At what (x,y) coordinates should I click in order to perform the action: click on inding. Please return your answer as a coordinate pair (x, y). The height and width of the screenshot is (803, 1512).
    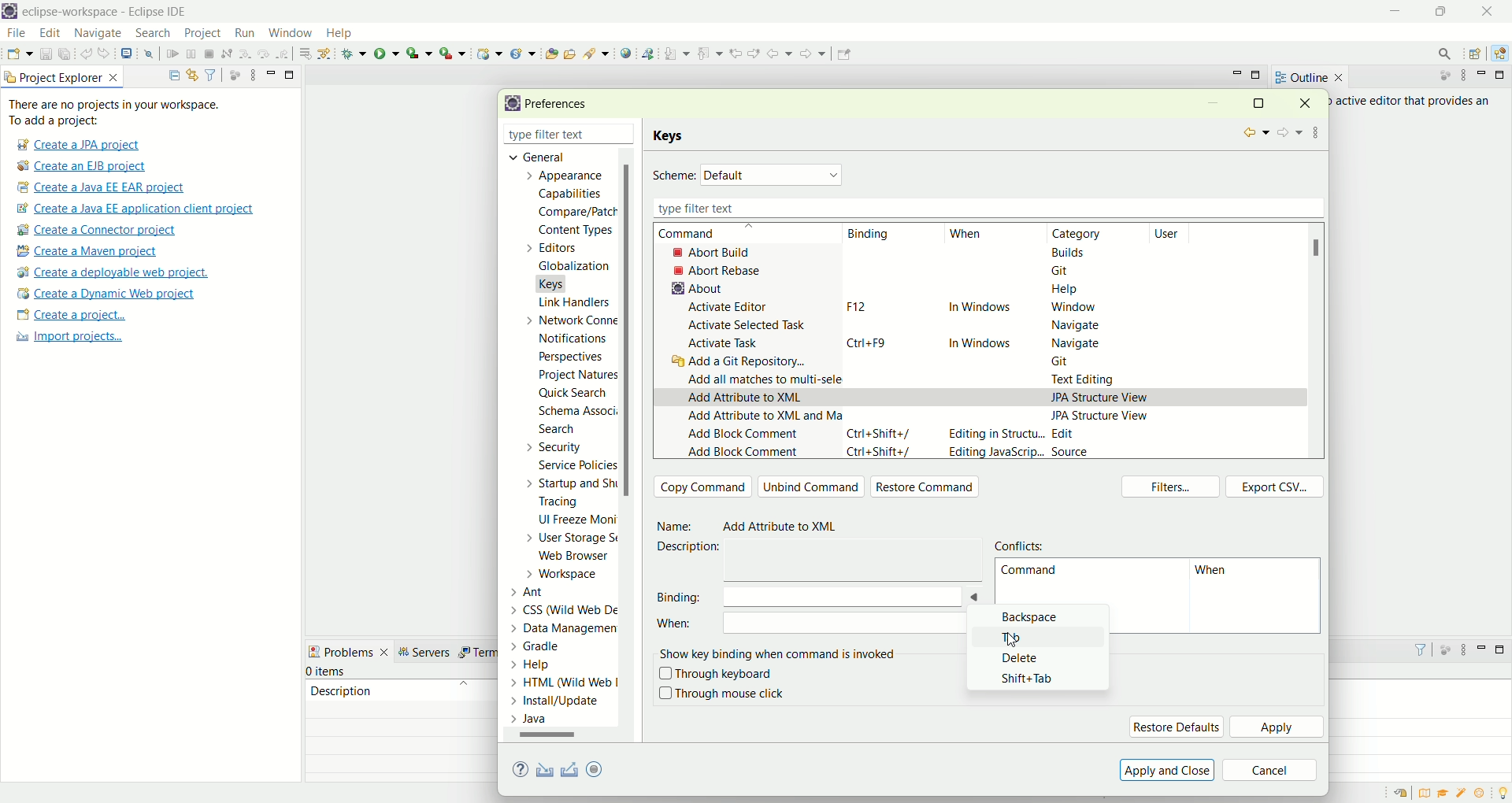
    Looking at the image, I should click on (870, 235).